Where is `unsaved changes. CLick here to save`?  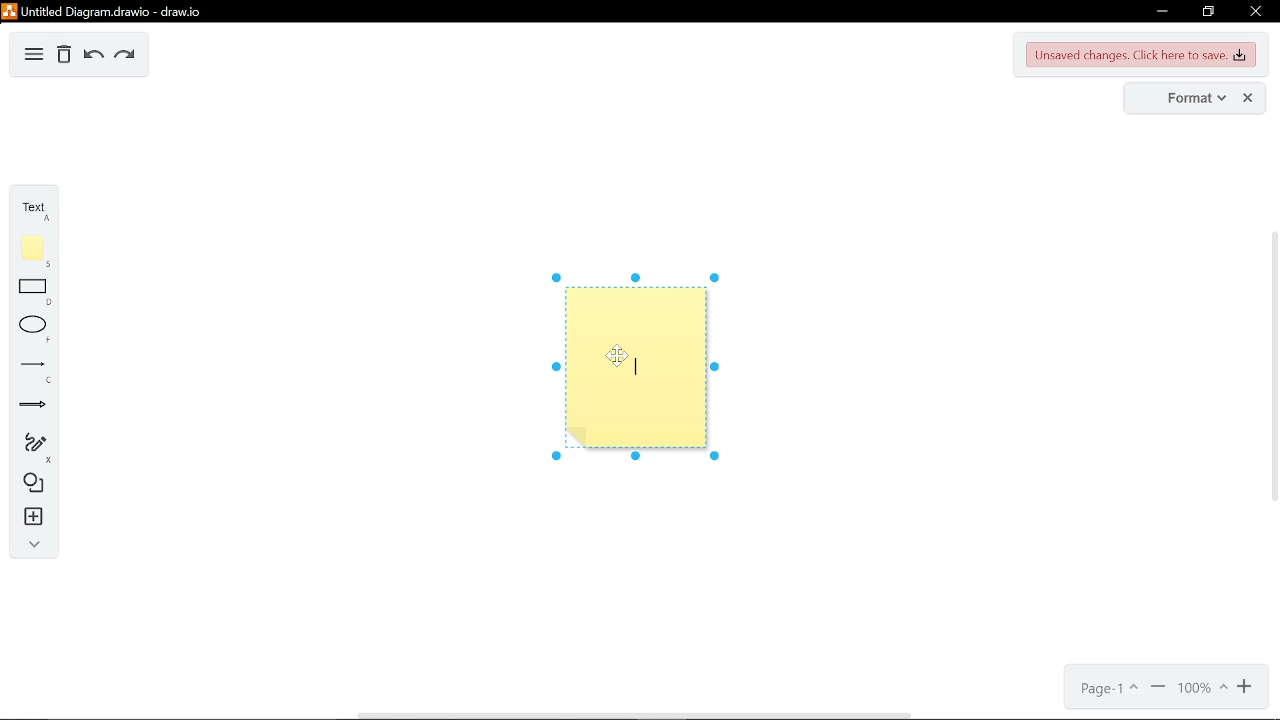
unsaved changes. CLick here to save is located at coordinates (1142, 55).